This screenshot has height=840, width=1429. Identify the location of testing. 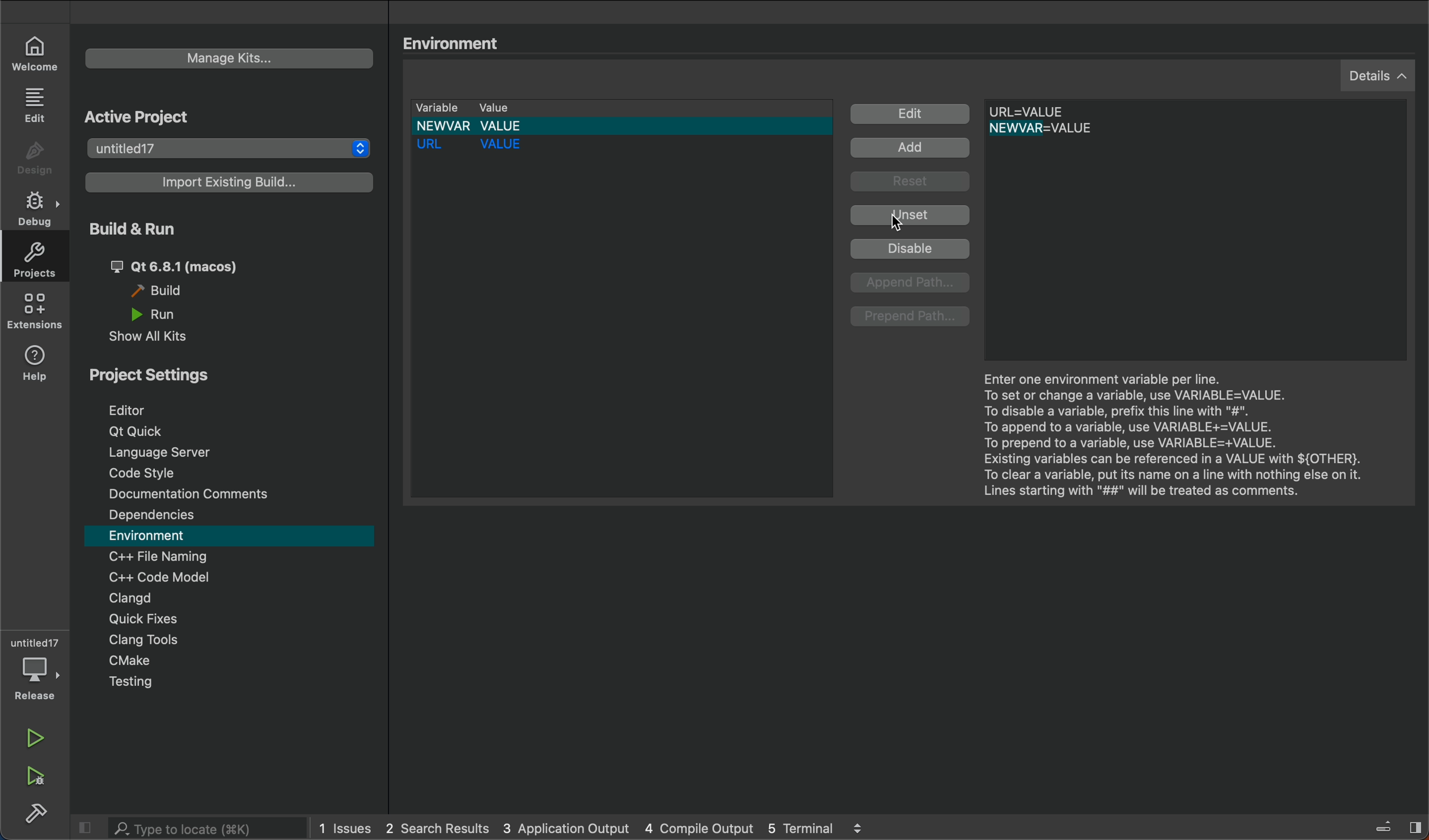
(132, 685).